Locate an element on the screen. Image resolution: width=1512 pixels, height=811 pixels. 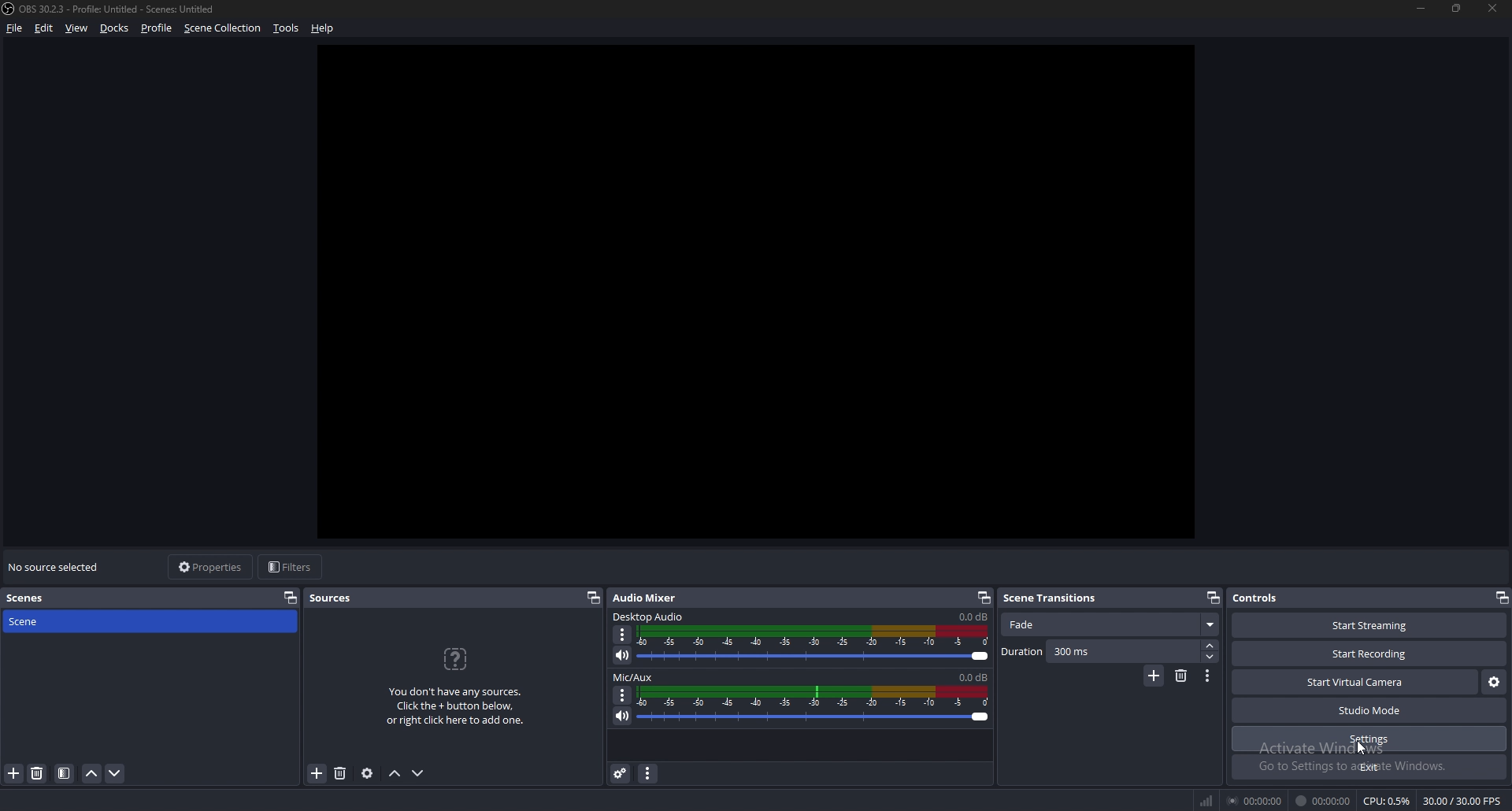
signal is located at coordinates (1204, 798).